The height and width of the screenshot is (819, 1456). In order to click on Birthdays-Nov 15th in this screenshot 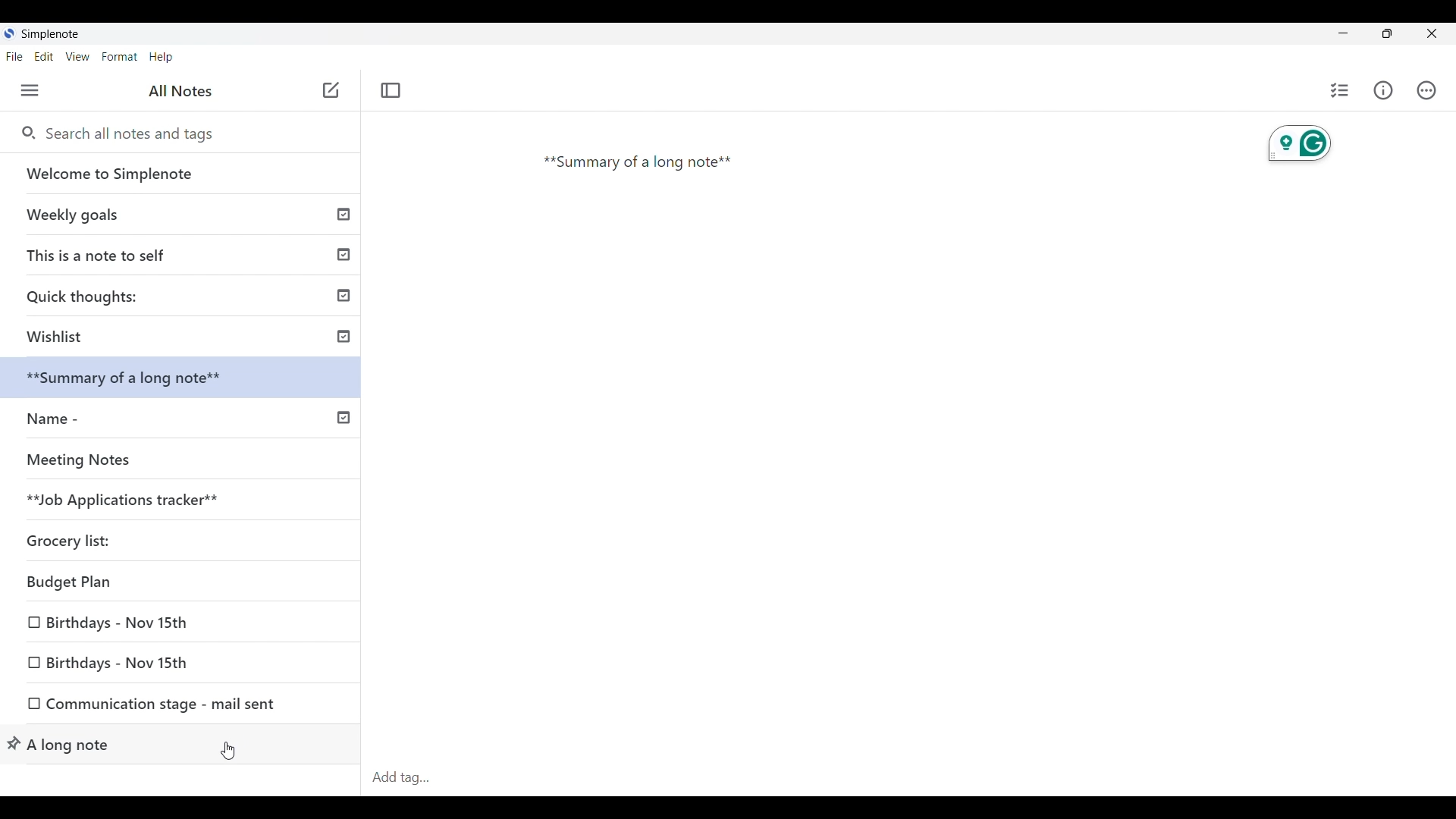, I will do `click(123, 626)`.